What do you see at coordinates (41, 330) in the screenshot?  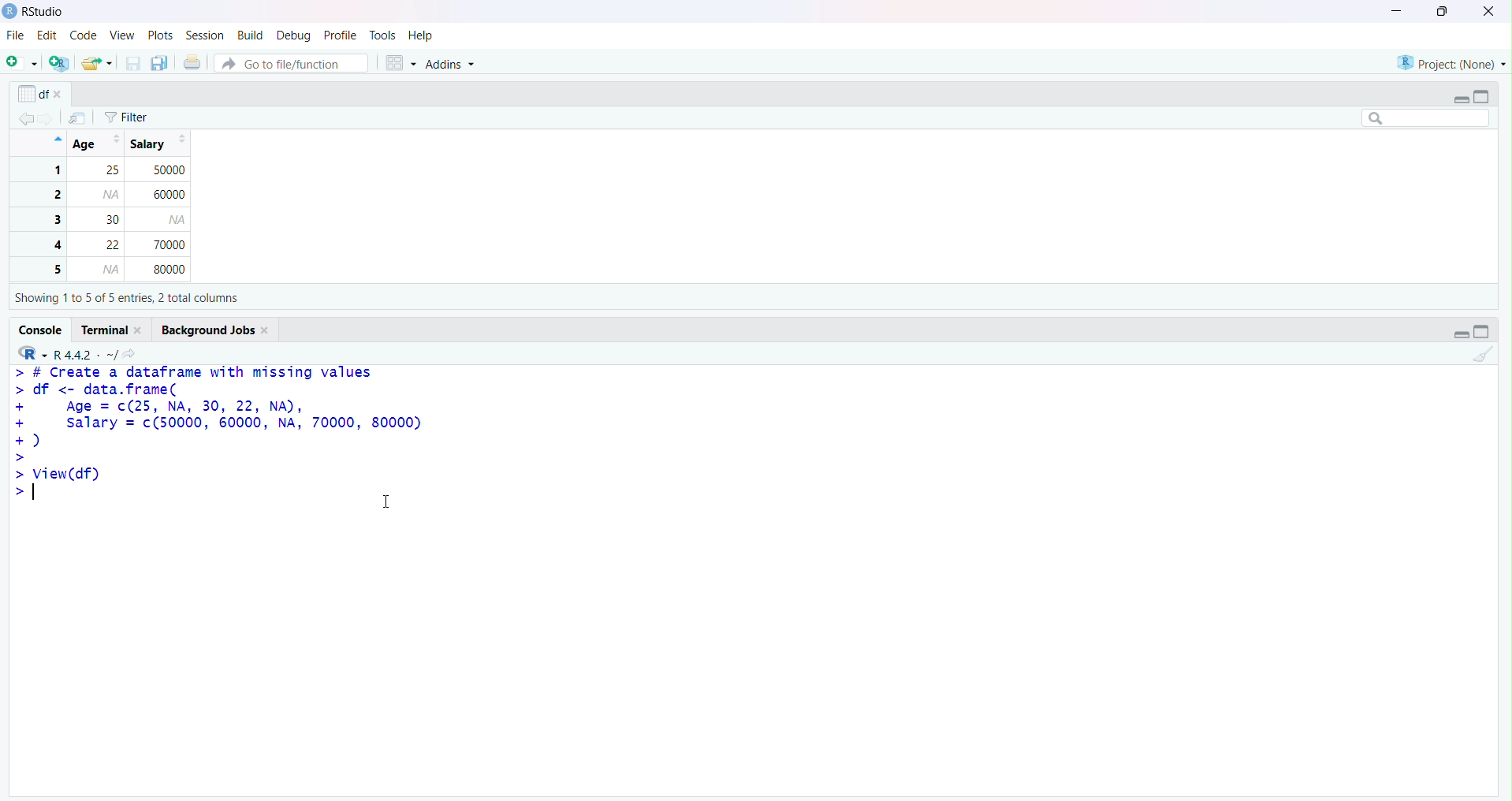 I see `Console` at bounding box center [41, 330].